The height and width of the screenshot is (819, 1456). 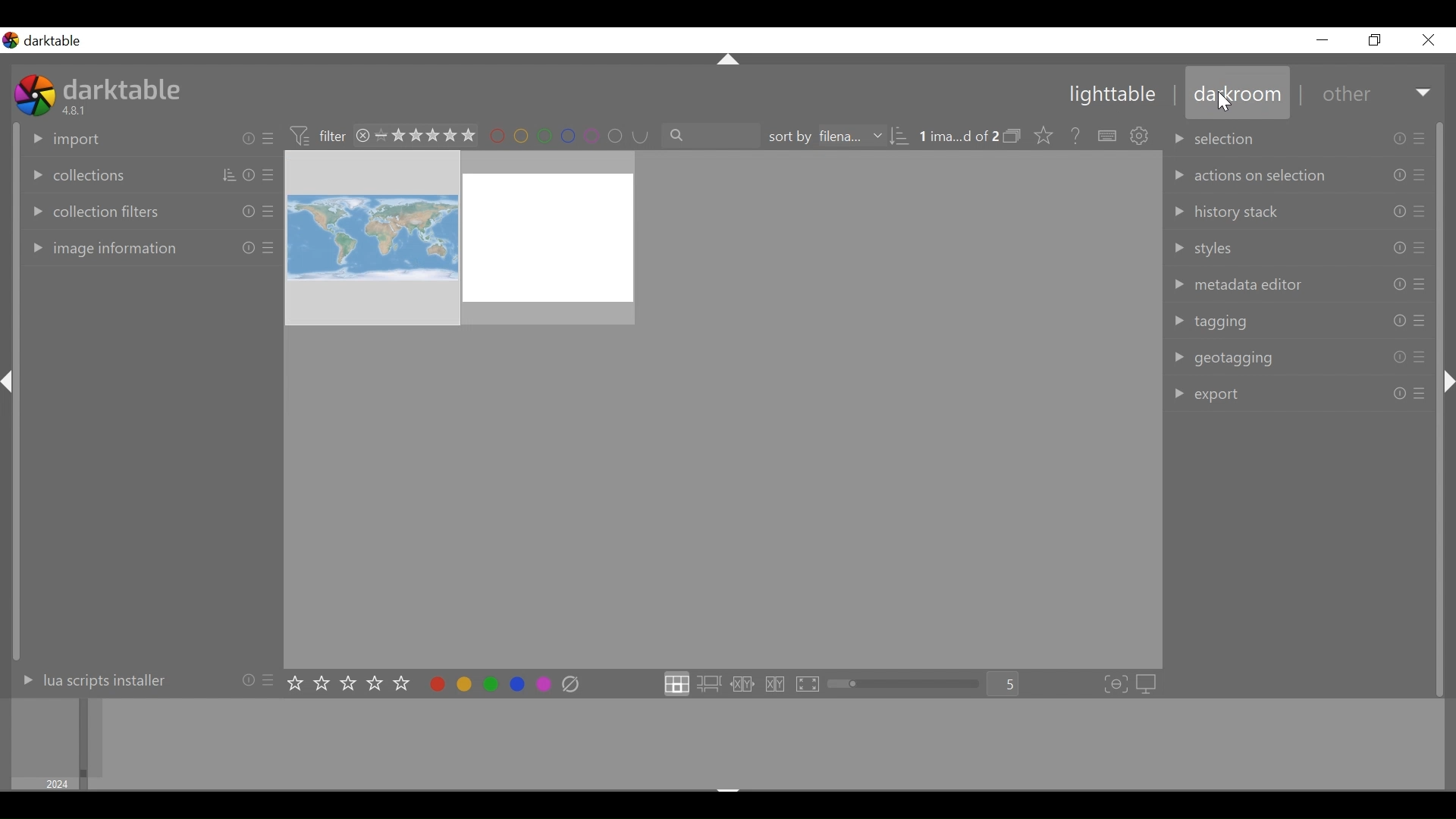 I want to click on Image information, so click(x=148, y=249).